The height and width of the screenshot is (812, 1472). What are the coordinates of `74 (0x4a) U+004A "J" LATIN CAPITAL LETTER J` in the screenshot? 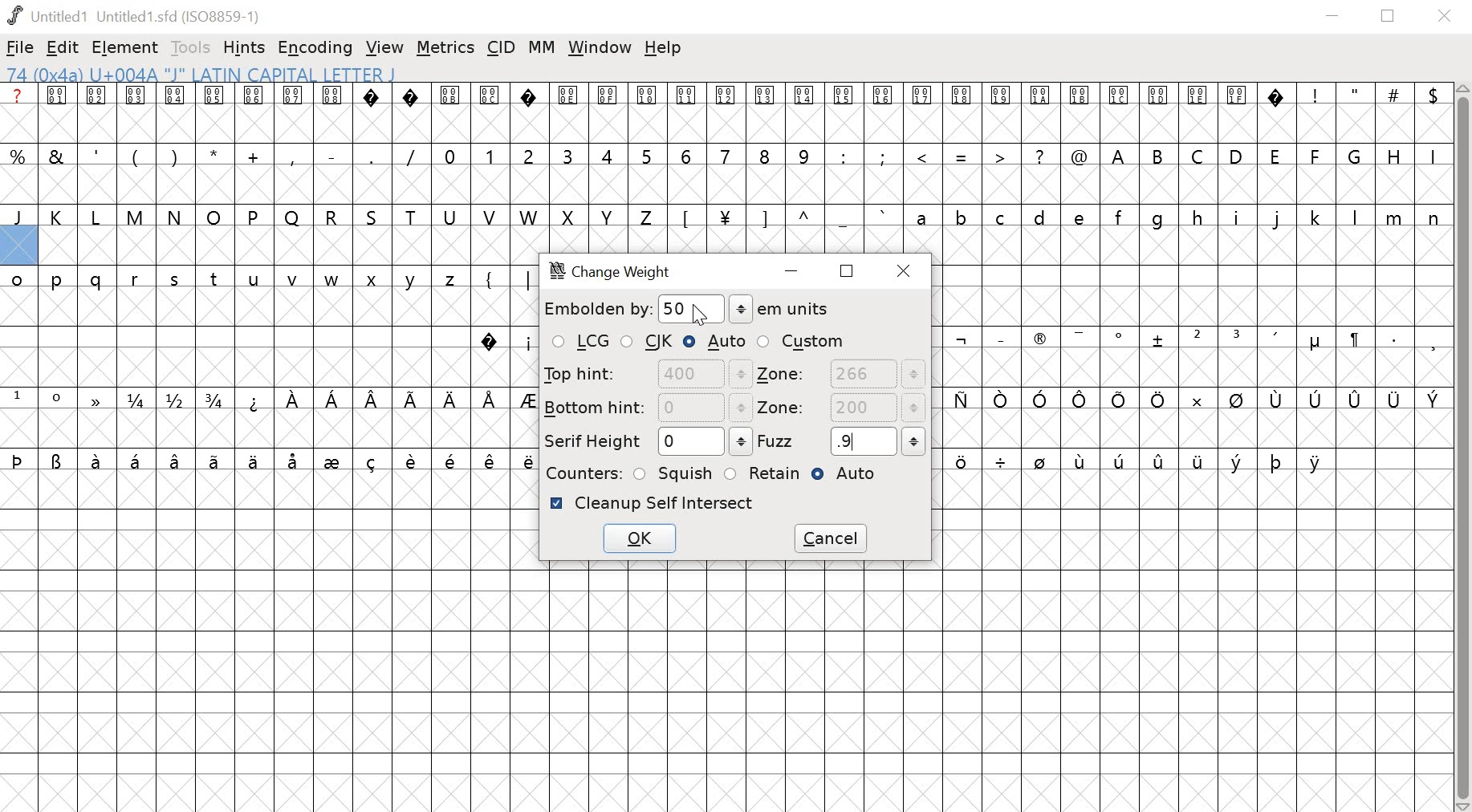 It's located at (303, 74).